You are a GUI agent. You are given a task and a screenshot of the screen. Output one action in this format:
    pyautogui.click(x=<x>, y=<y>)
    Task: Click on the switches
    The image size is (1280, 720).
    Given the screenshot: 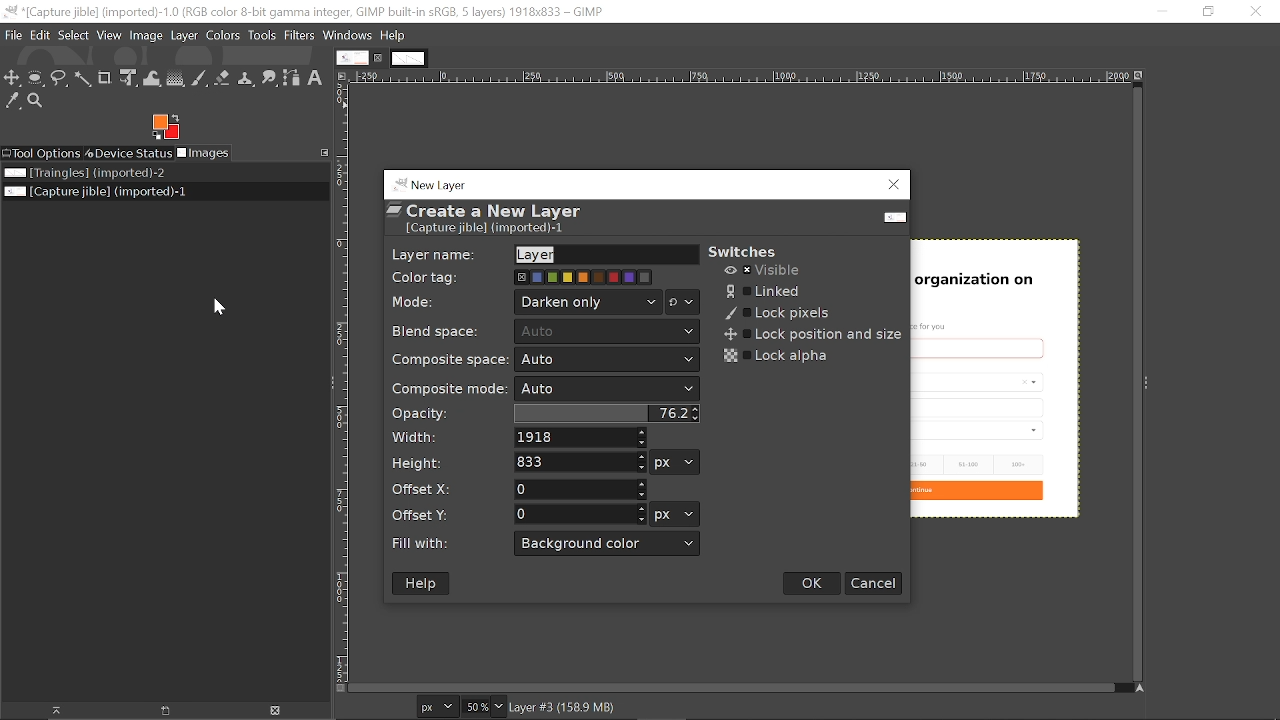 What is the action you would take?
    pyautogui.click(x=762, y=245)
    